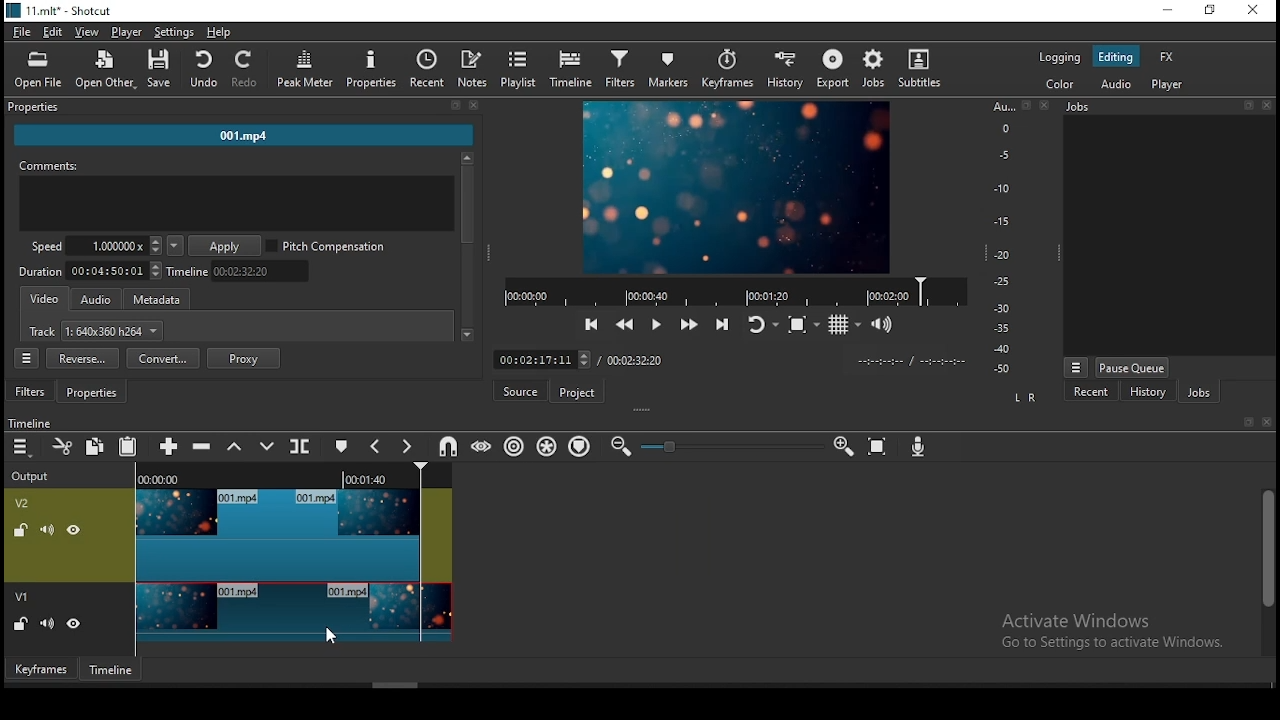 The width and height of the screenshot is (1280, 720). What do you see at coordinates (579, 392) in the screenshot?
I see `project` at bounding box center [579, 392].